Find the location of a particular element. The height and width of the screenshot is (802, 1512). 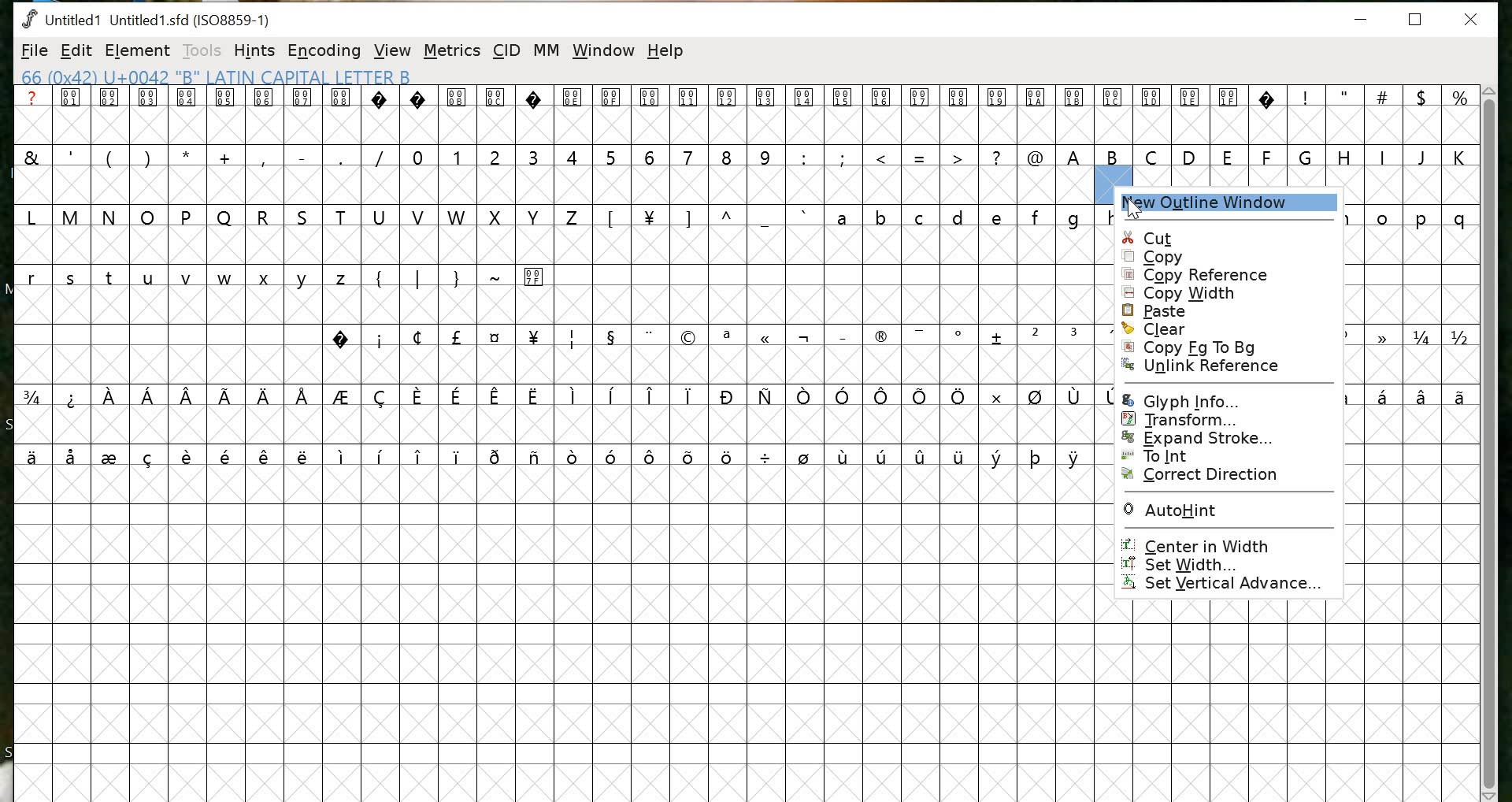

unlink reference is located at coordinates (1230, 372).